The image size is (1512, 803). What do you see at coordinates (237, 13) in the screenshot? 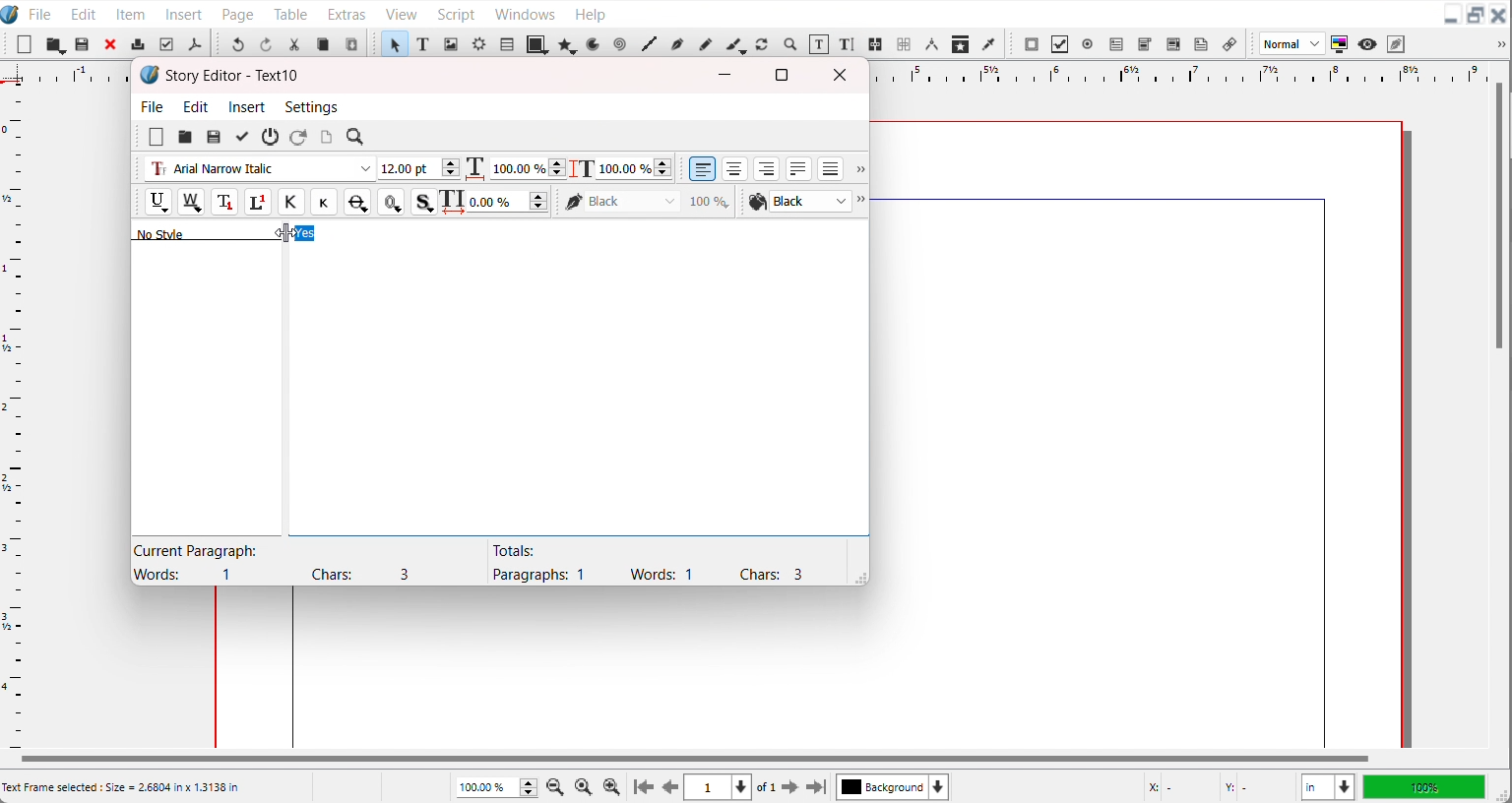
I see `Page` at bounding box center [237, 13].